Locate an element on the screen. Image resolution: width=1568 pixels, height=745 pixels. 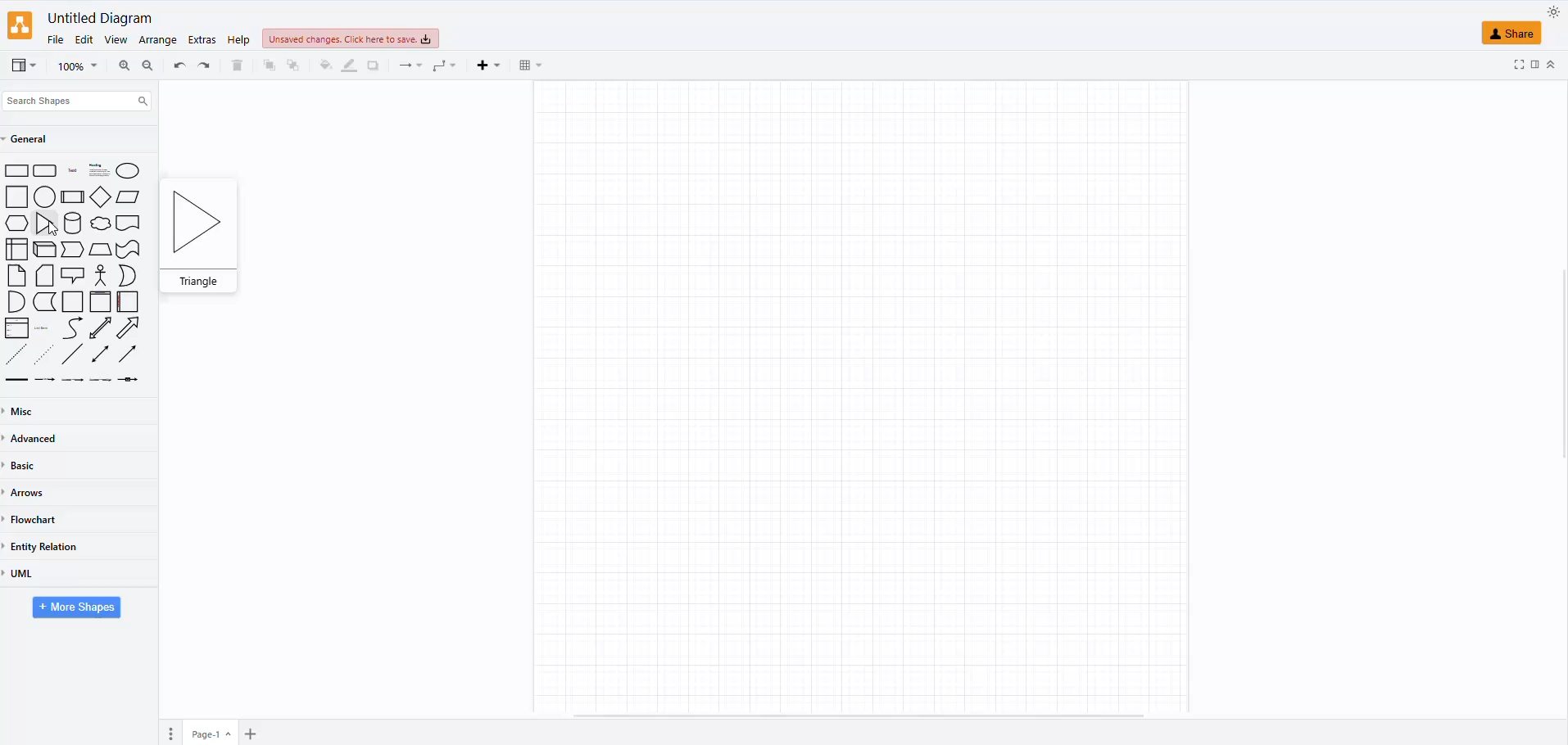
File Icon is located at coordinates (45, 276).